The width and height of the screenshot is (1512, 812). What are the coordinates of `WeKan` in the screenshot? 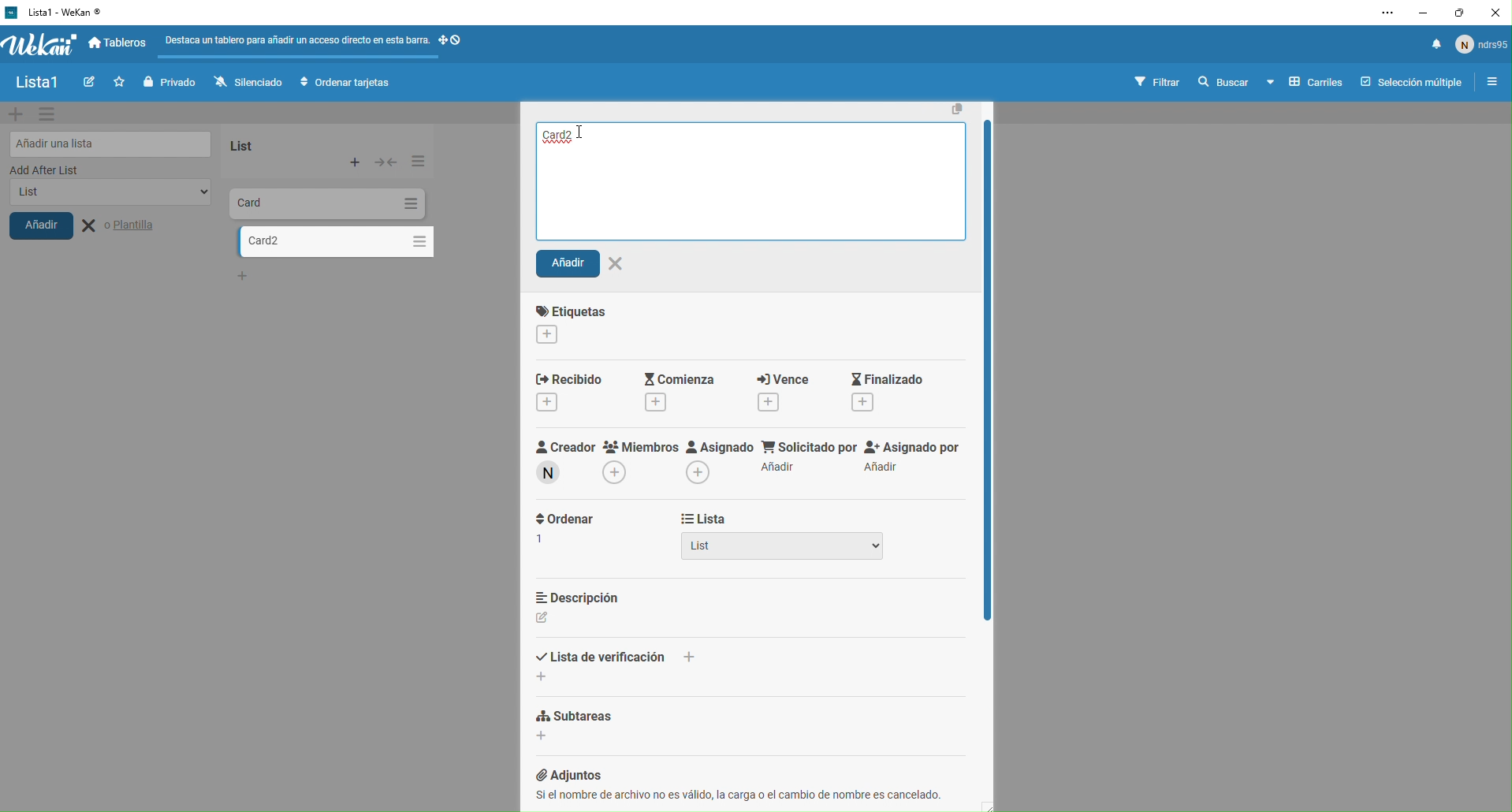 It's located at (55, 12).